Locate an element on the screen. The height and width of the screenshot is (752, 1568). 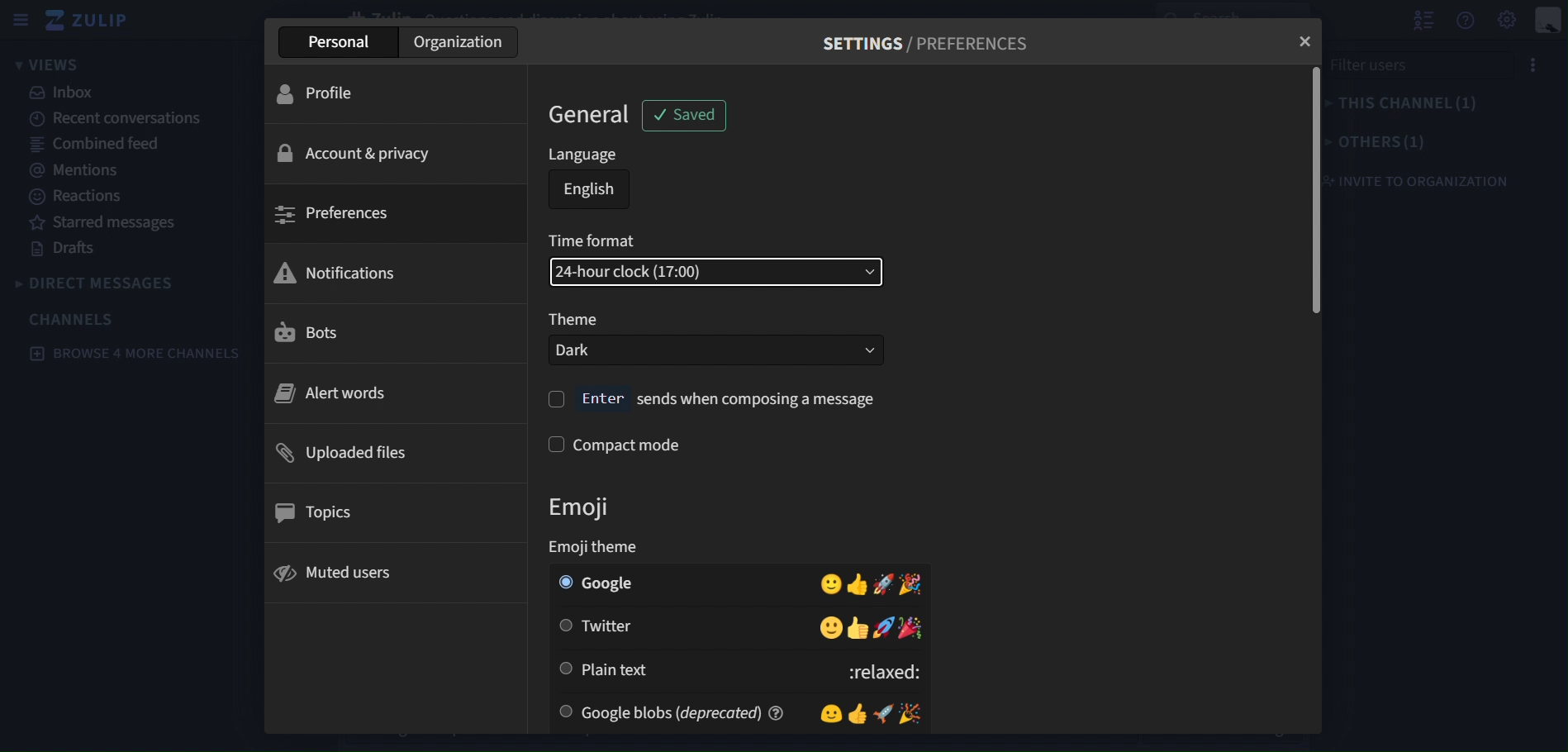
enter sends when composing a message is located at coordinates (733, 397).